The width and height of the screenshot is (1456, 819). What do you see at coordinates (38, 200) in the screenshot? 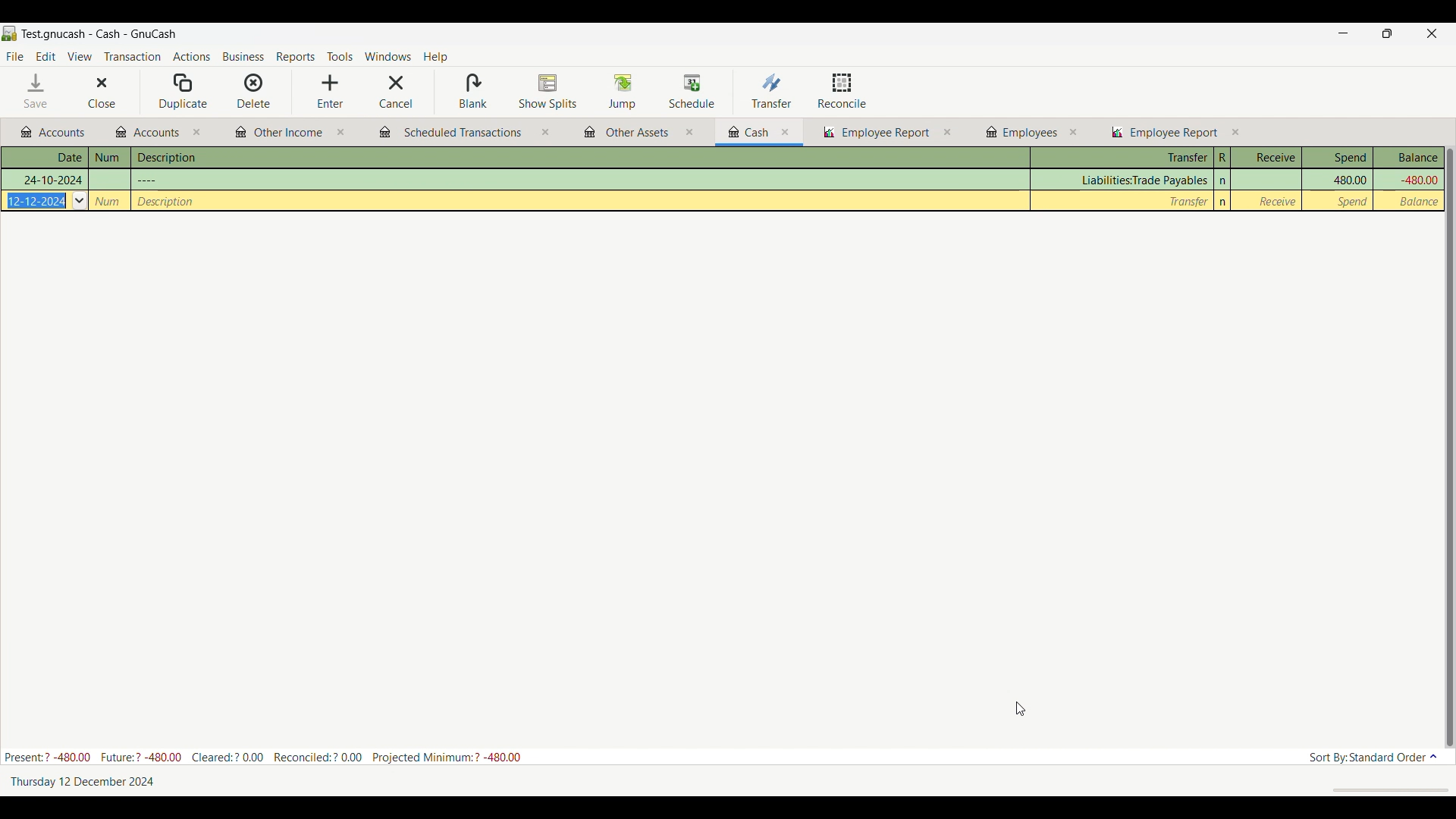
I see `` at bounding box center [38, 200].